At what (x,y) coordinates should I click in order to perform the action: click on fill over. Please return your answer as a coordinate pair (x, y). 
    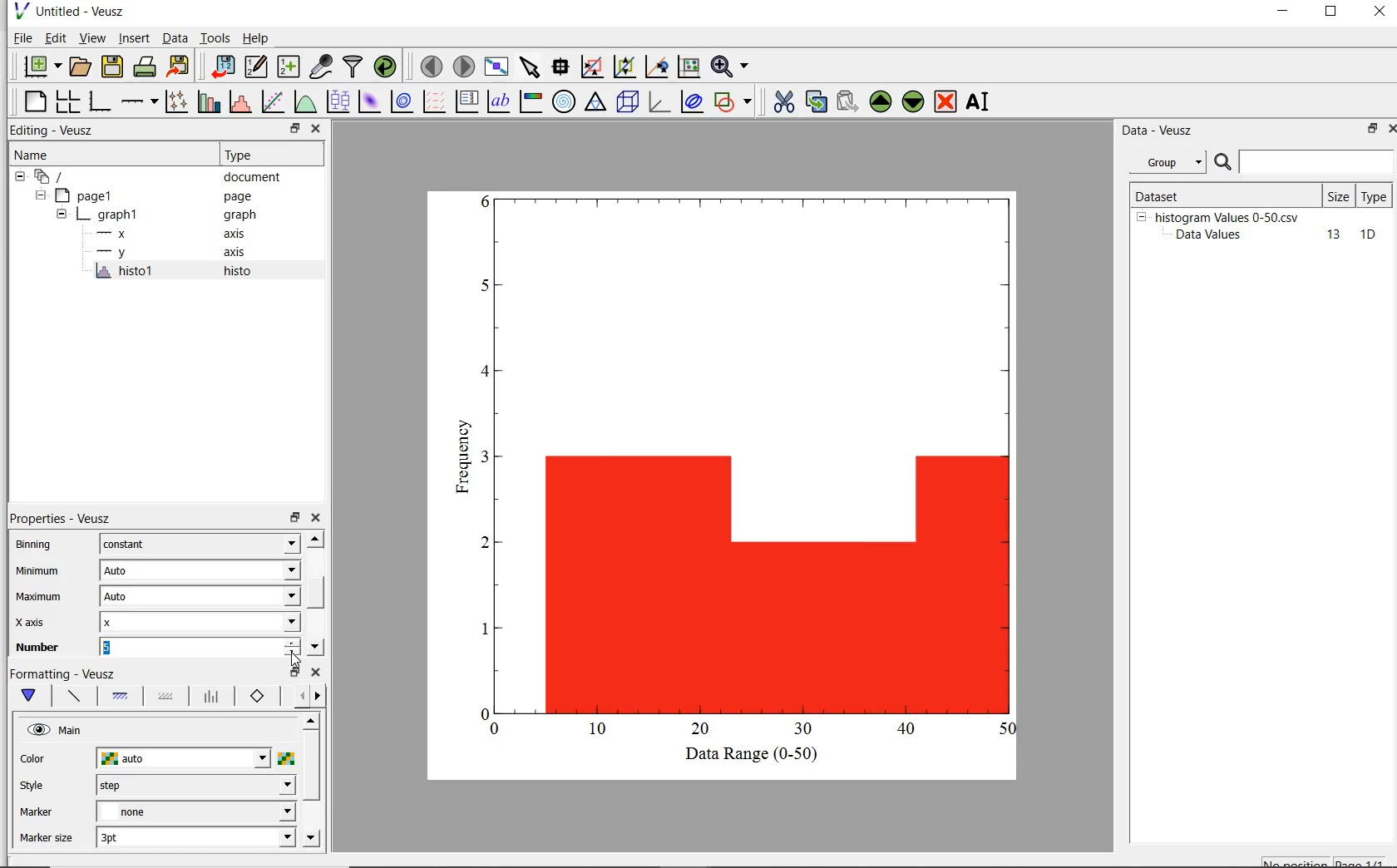
    Looking at the image, I should click on (164, 698).